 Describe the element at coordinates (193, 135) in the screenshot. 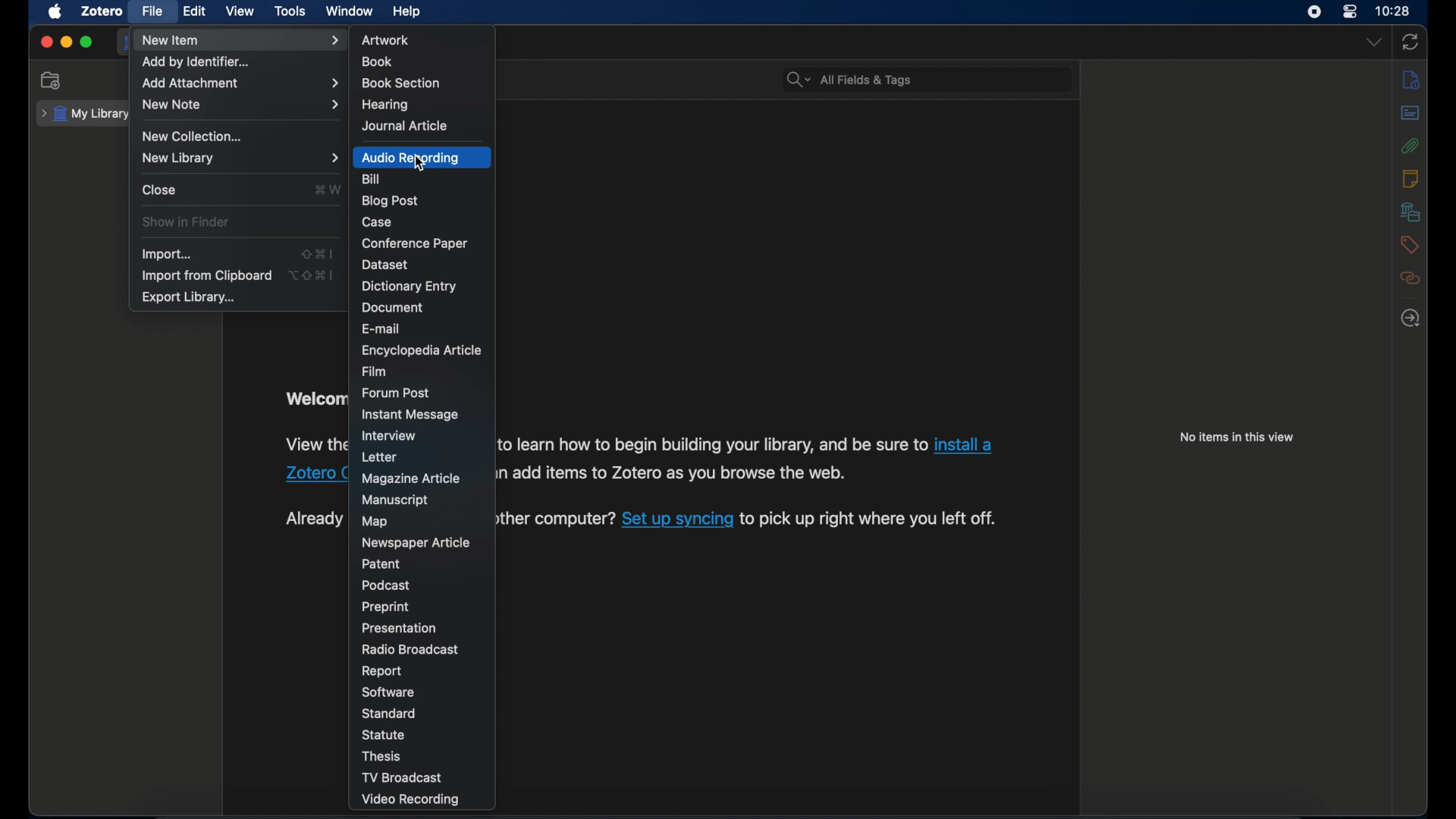

I see `new collection` at that location.